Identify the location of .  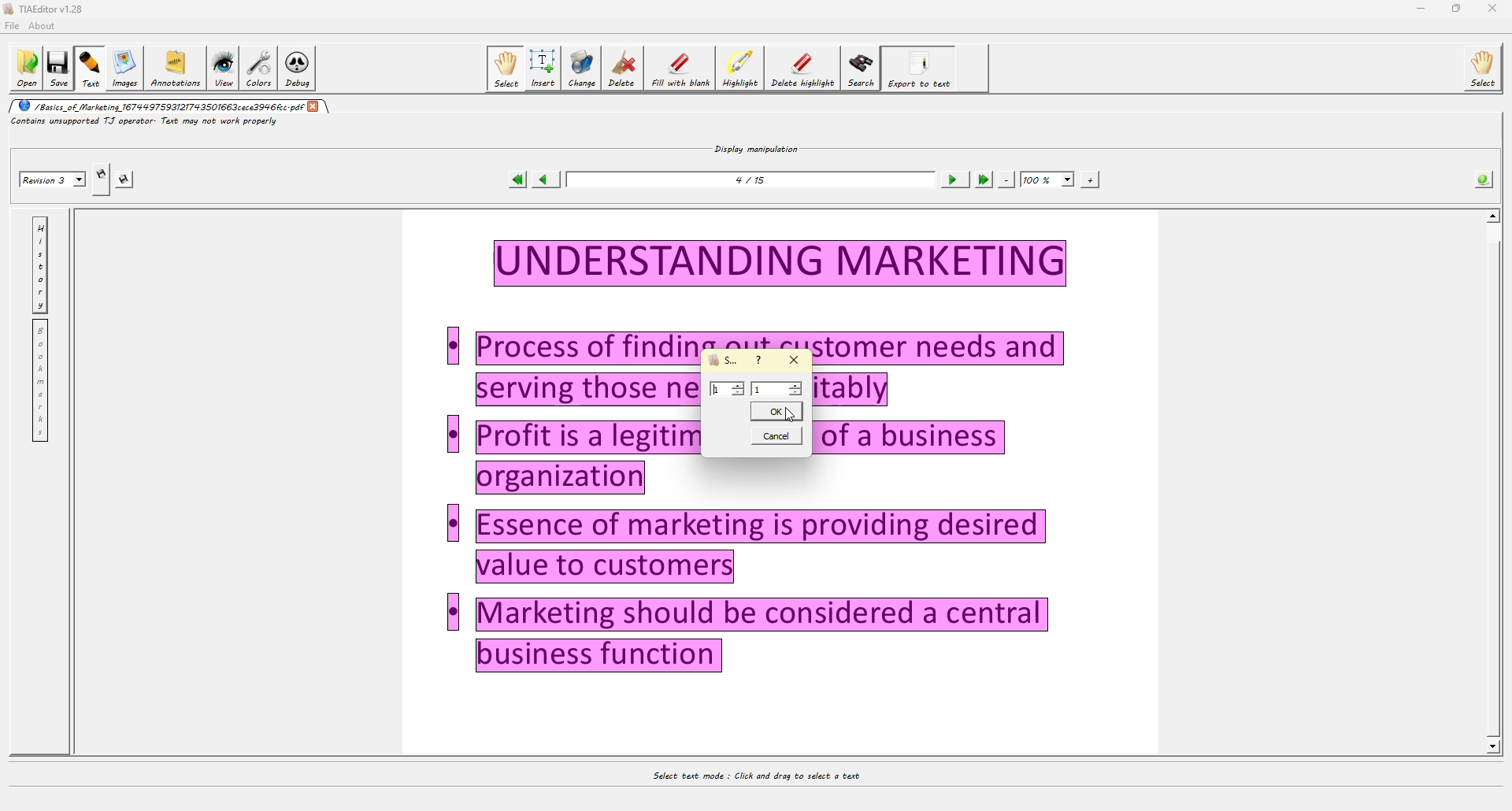
(455, 435).